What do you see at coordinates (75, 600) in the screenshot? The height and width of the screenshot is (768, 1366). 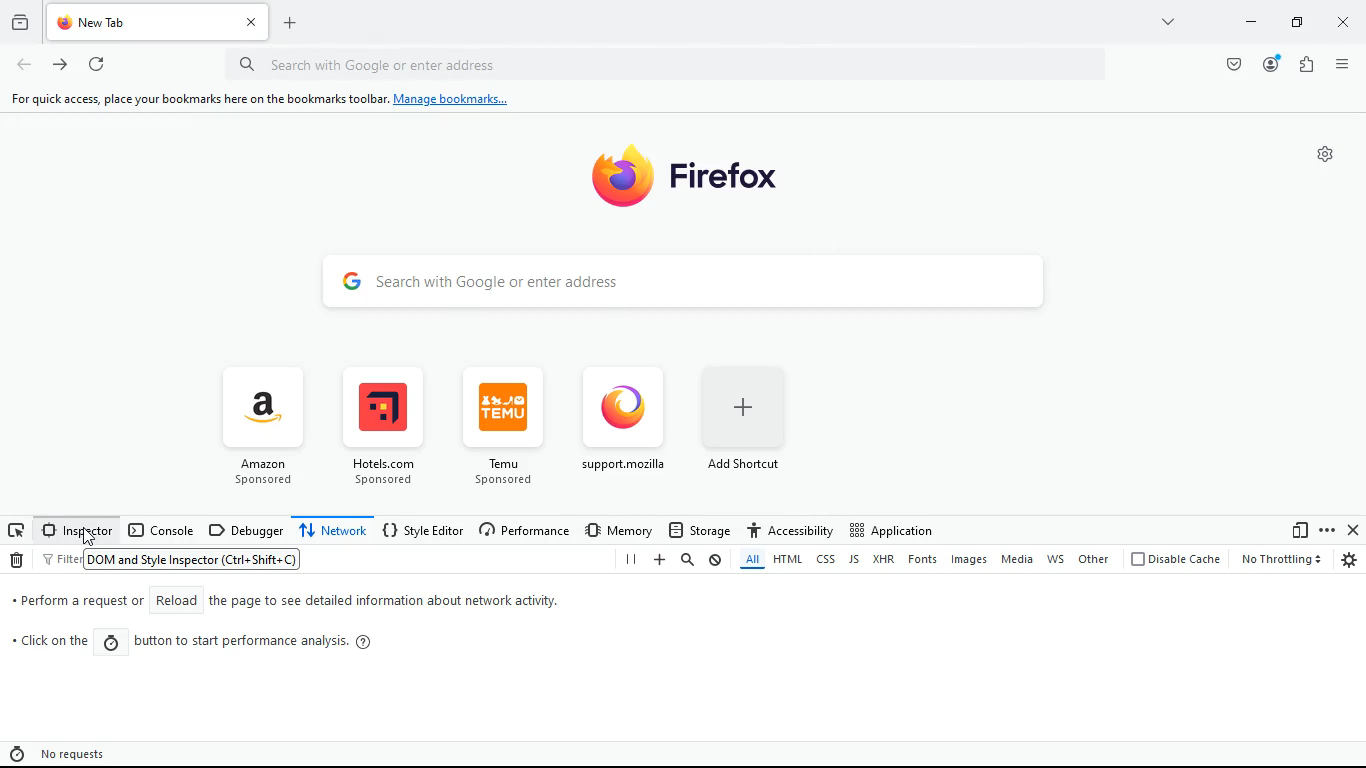 I see `« Perform a request of` at bounding box center [75, 600].